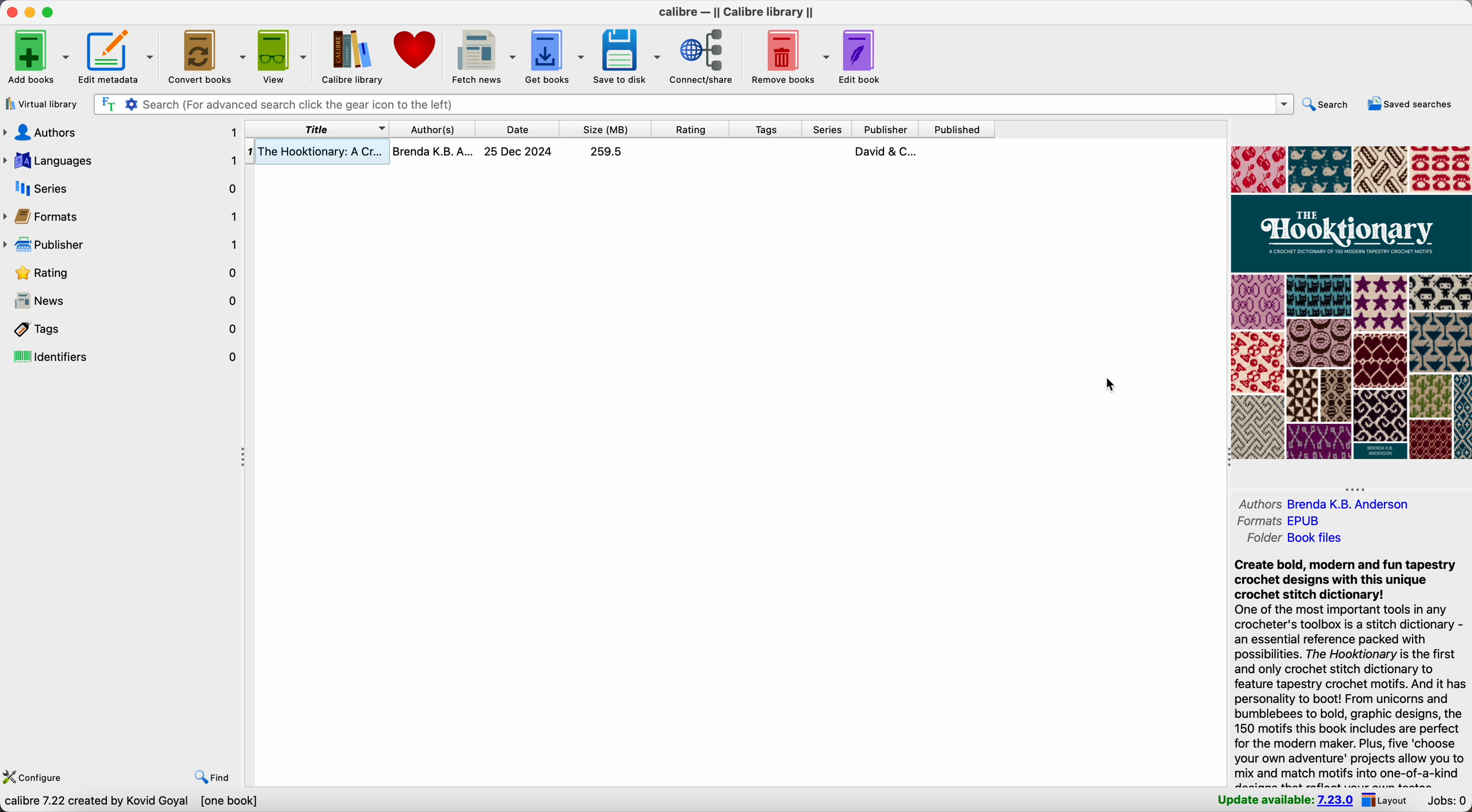  What do you see at coordinates (690, 128) in the screenshot?
I see `rating` at bounding box center [690, 128].